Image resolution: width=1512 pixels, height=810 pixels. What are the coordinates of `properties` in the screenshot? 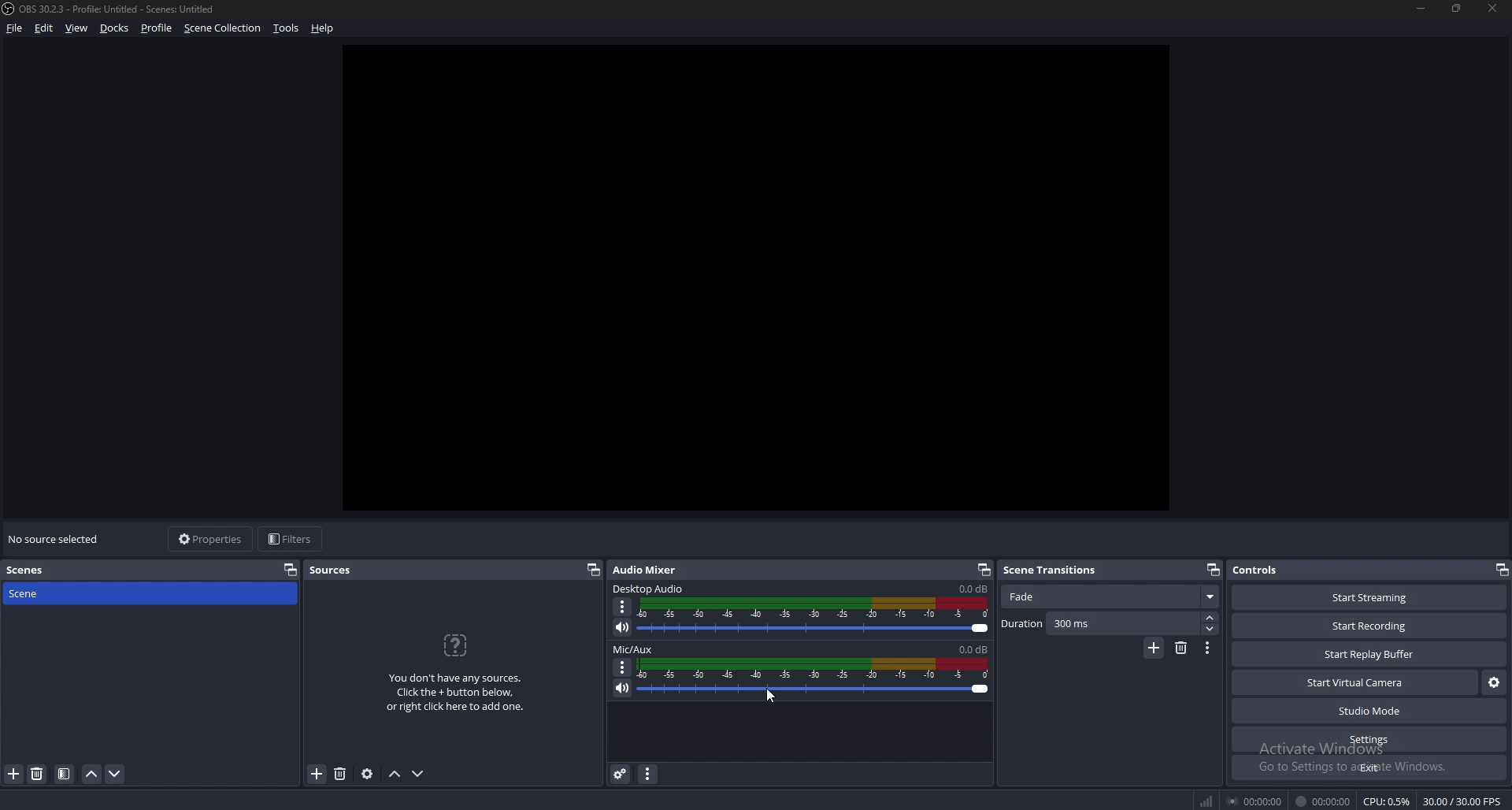 It's located at (213, 539).